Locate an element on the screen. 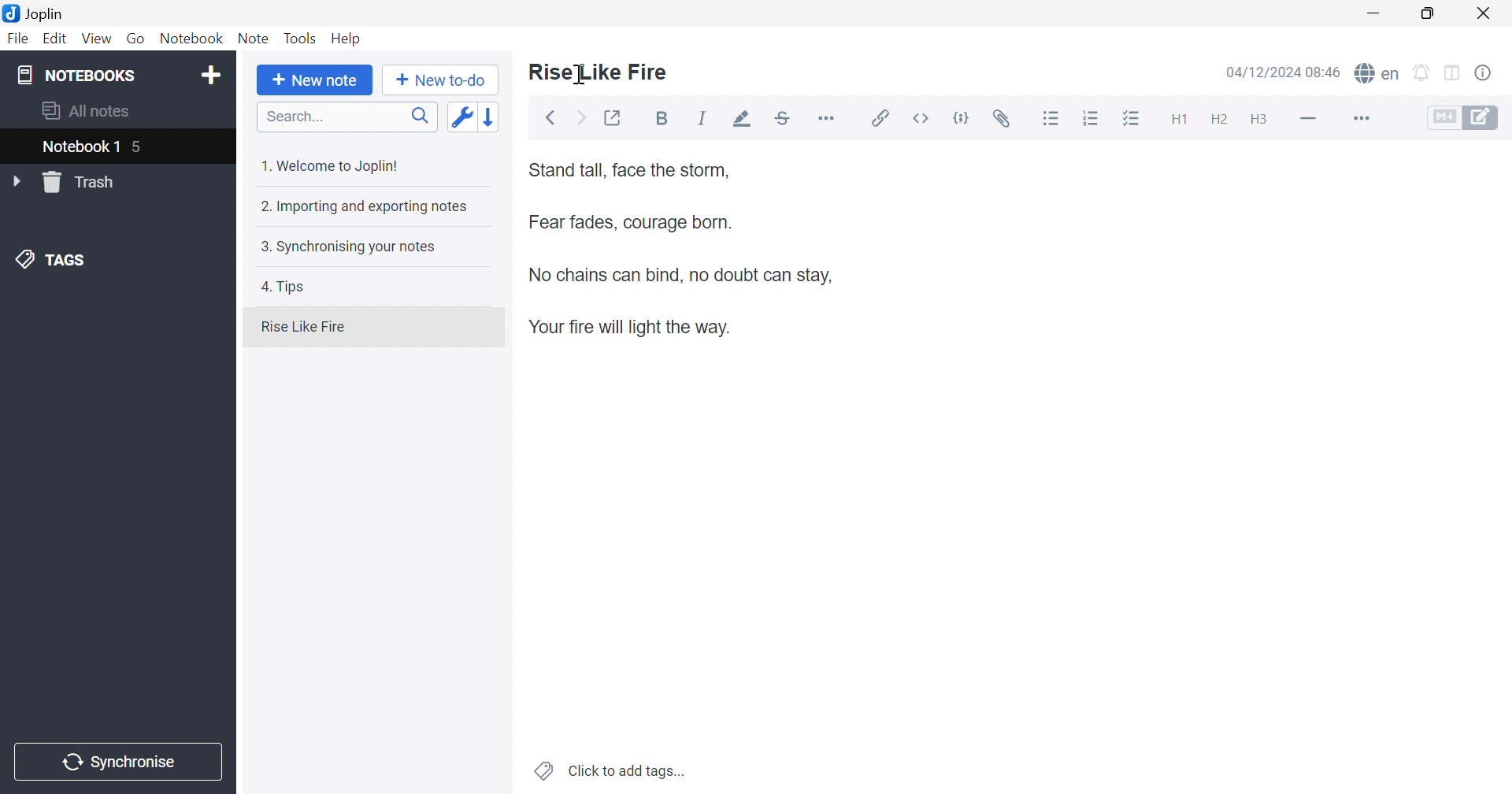 This screenshot has height=794, width=1512. Edit is located at coordinates (58, 41).